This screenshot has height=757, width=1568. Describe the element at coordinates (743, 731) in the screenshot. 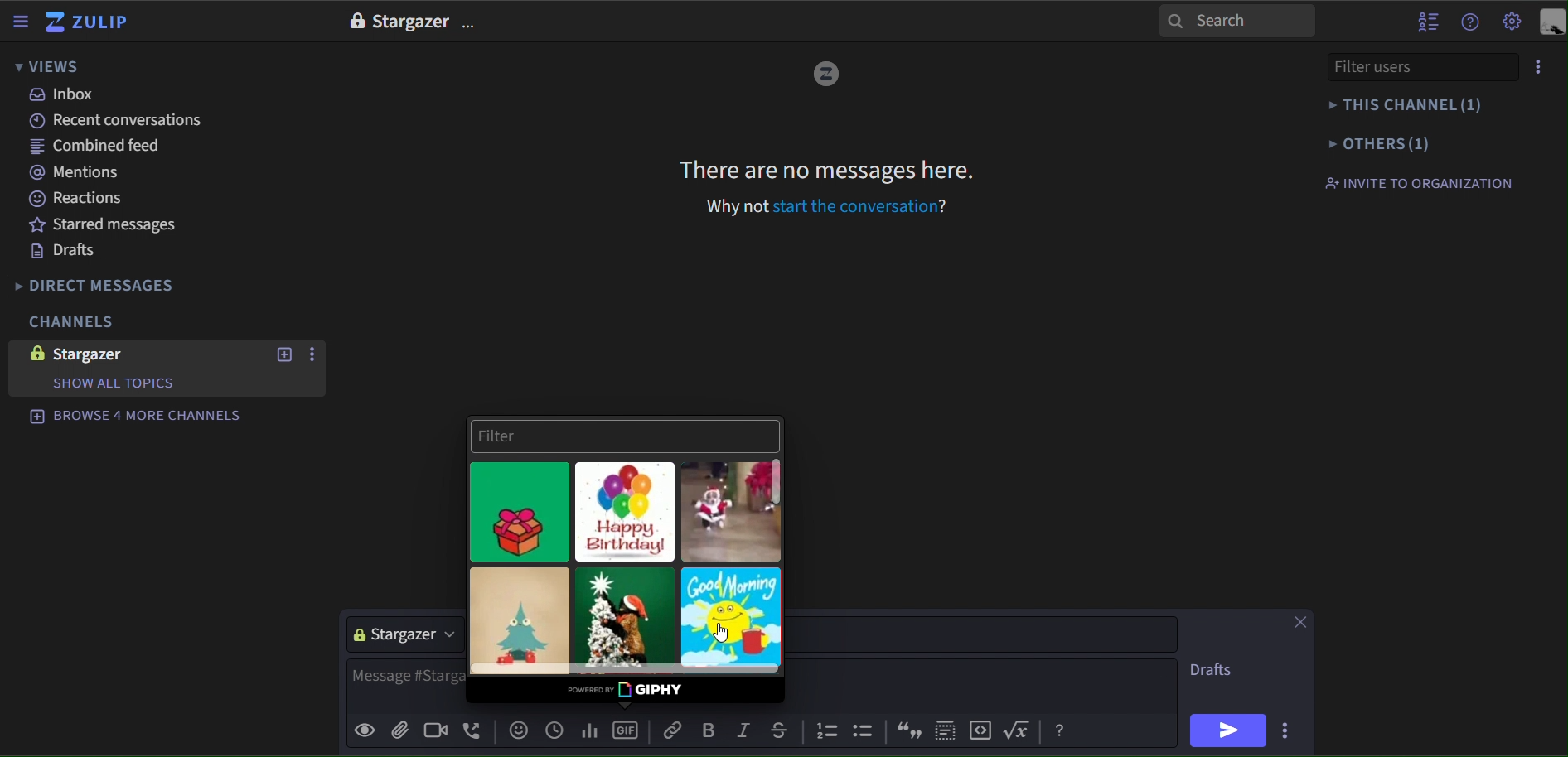

I see `italic` at that location.